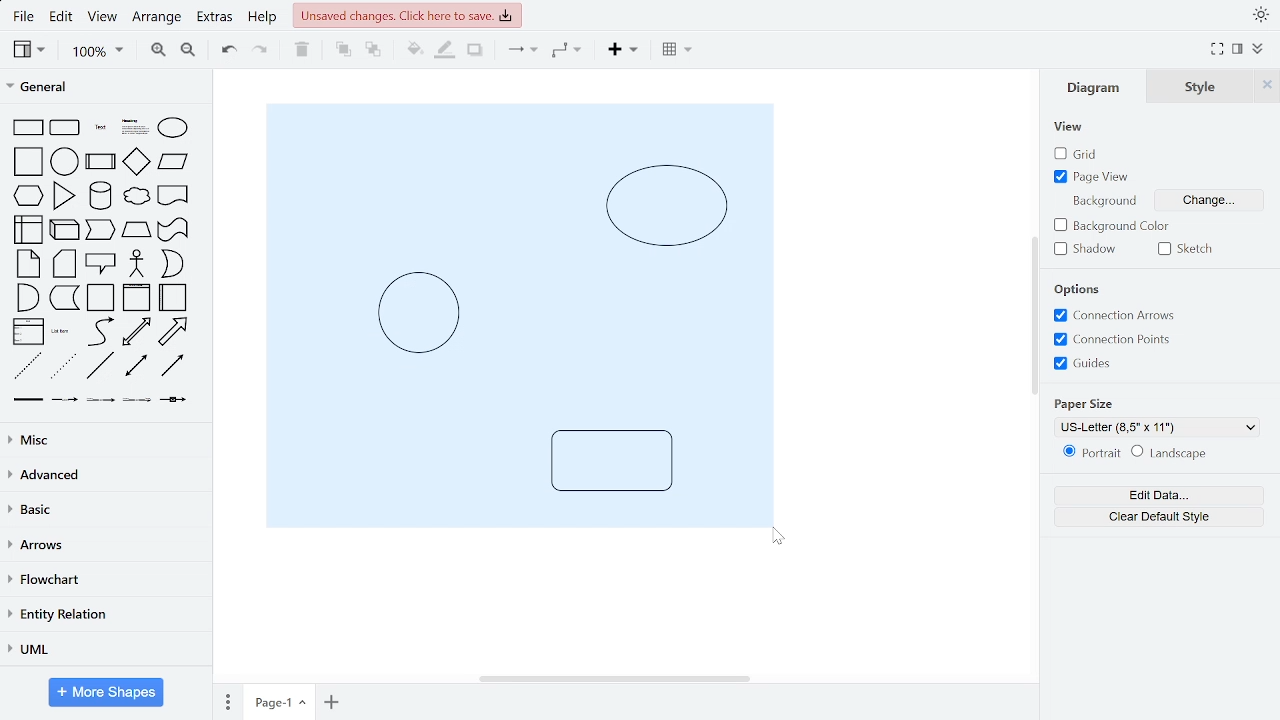  Describe the element at coordinates (30, 50) in the screenshot. I see `view` at that location.